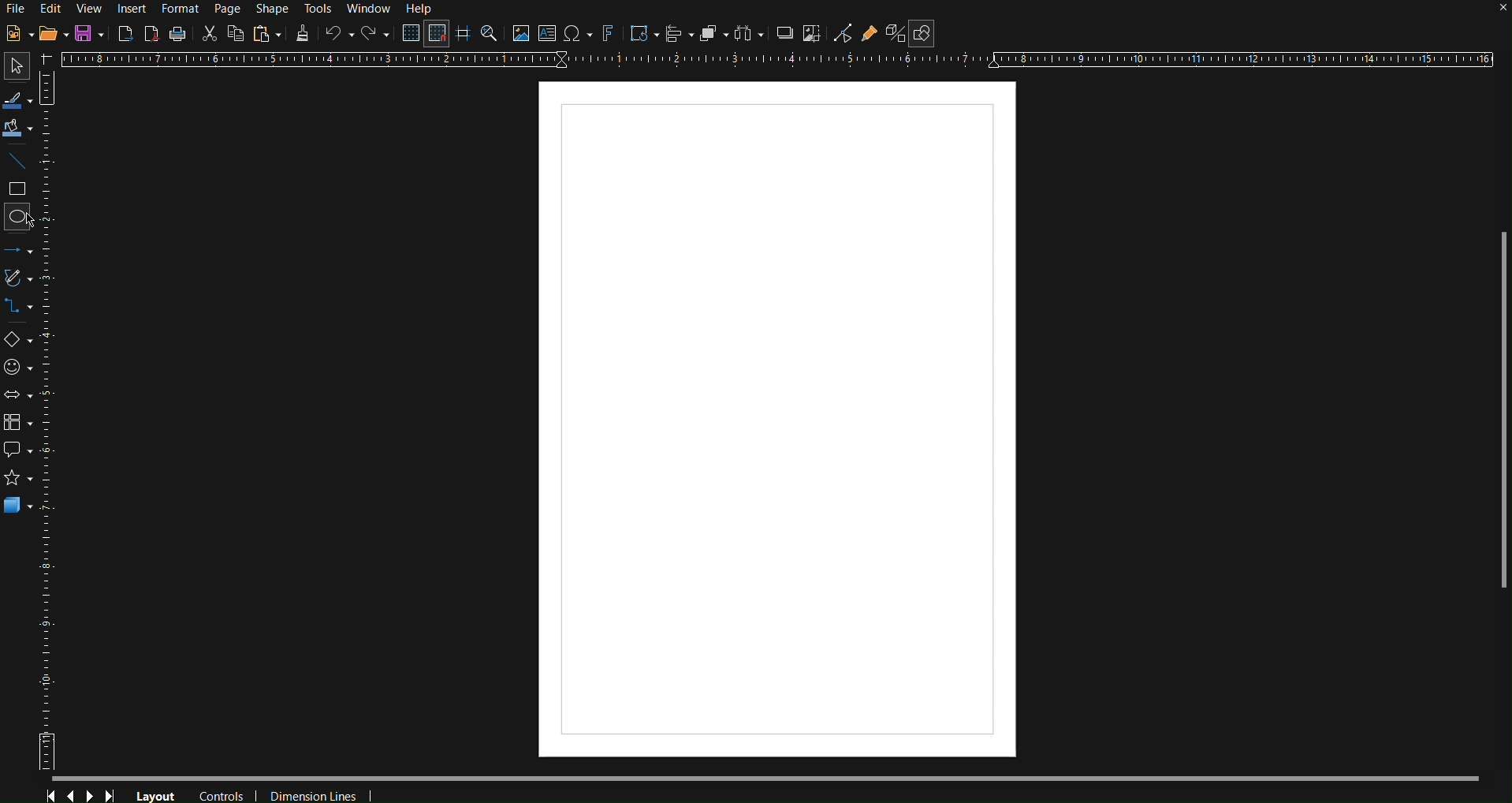  I want to click on Copy Formatting, so click(303, 34).